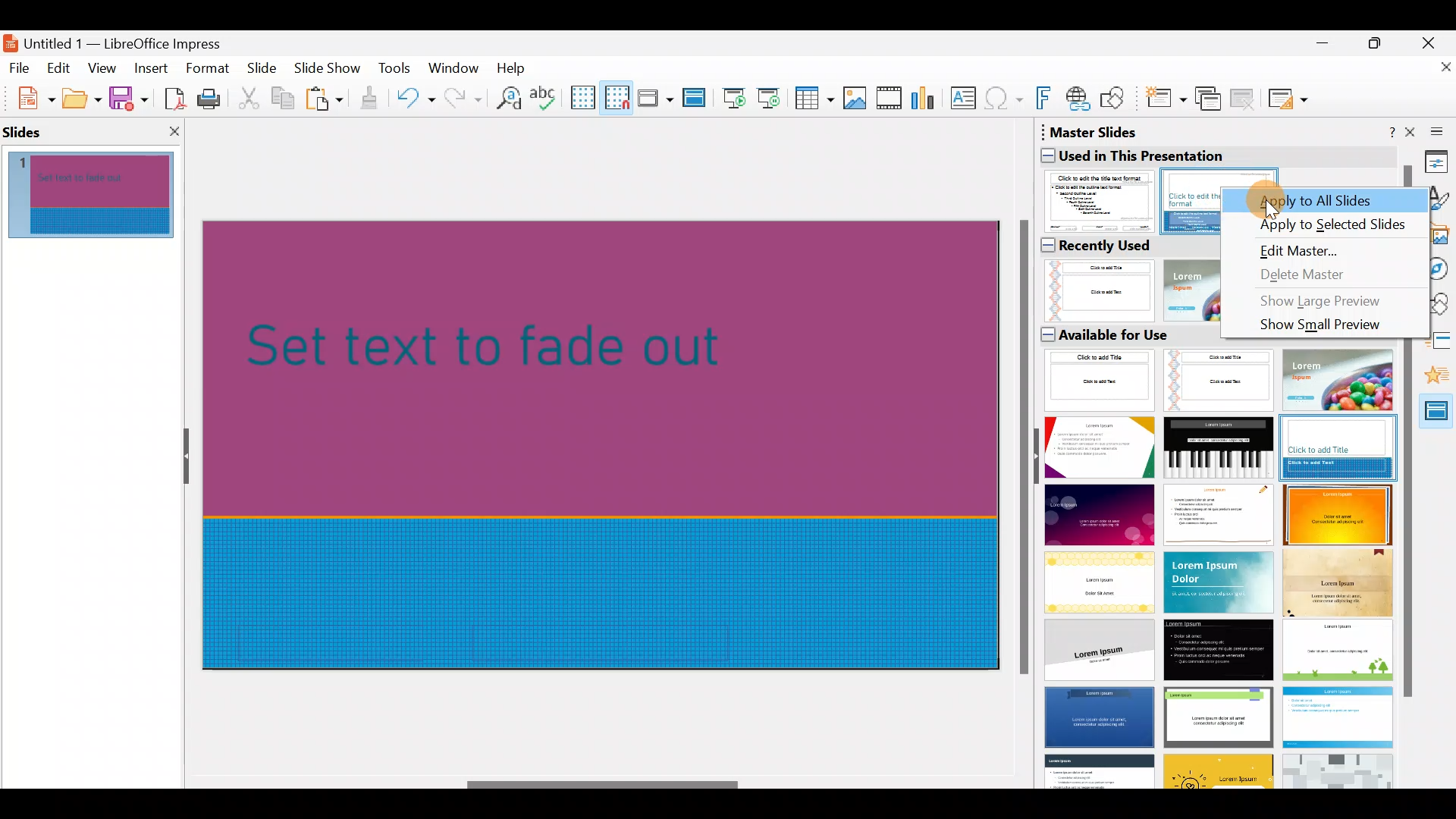 The image size is (1456, 819). I want to click on Master slides, so click(1429, 416).